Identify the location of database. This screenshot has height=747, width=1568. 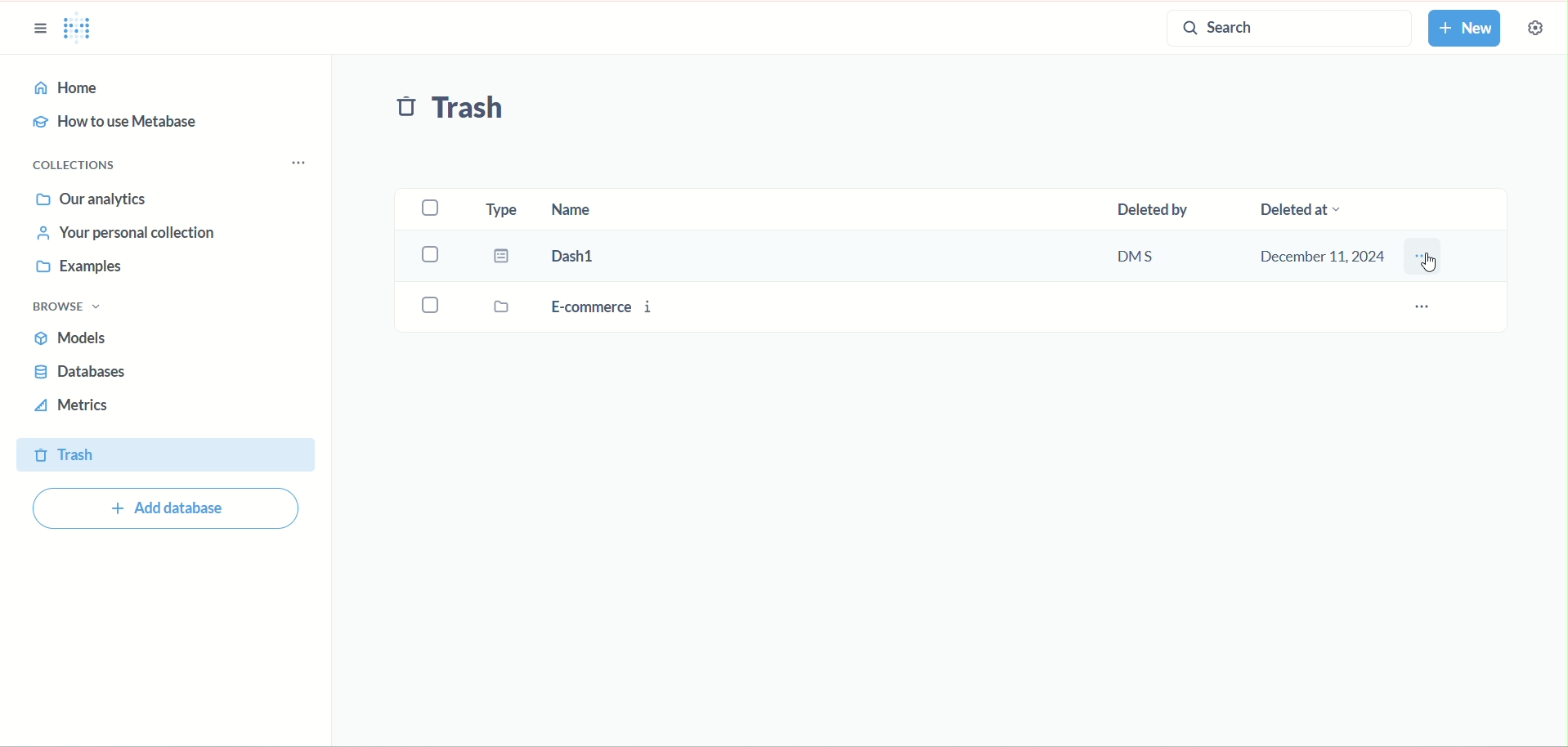
(81, 371).